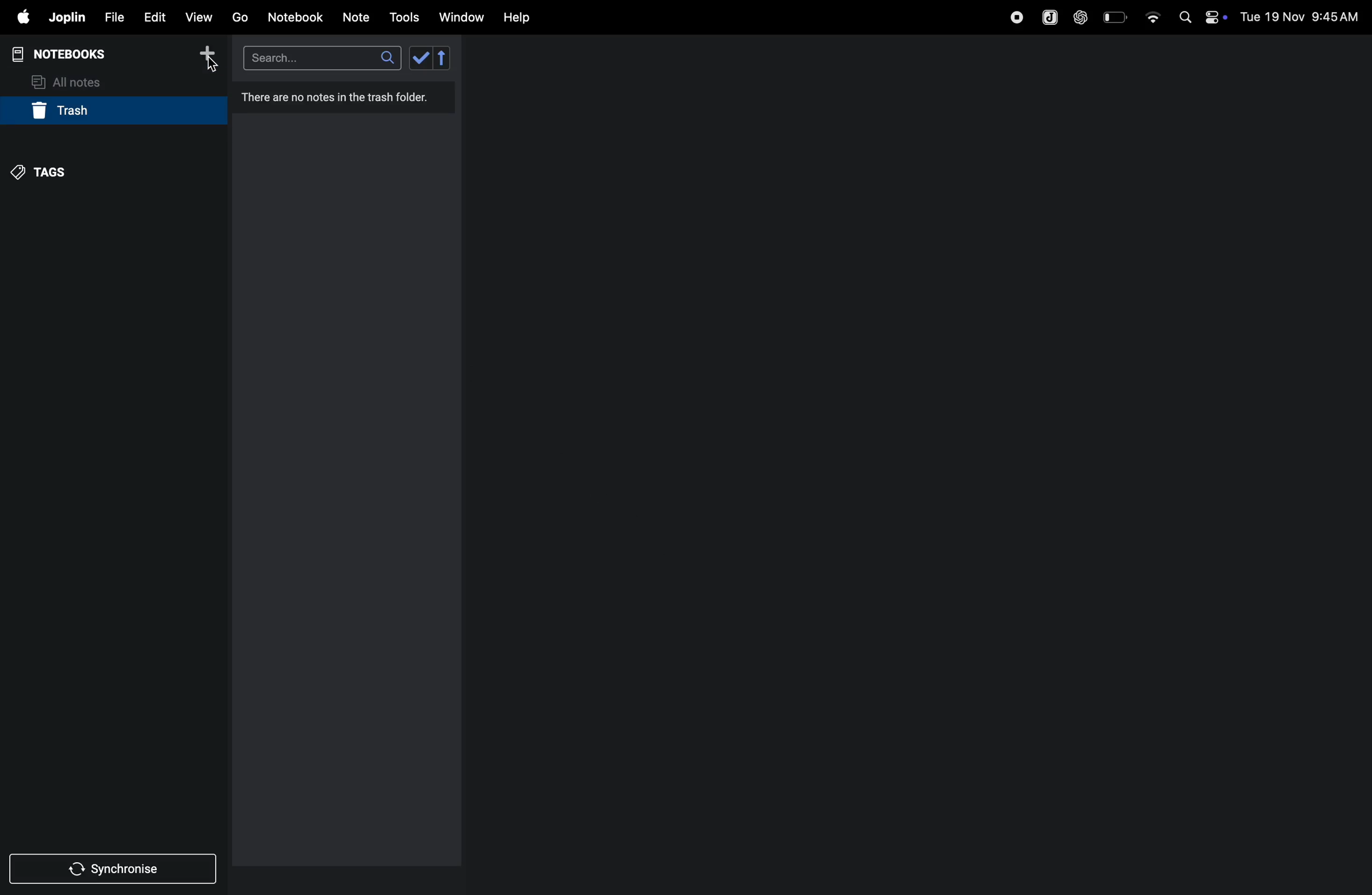 The height and width of the screenshot is (895, 1372). I want to click on tools, so click(402, 17).